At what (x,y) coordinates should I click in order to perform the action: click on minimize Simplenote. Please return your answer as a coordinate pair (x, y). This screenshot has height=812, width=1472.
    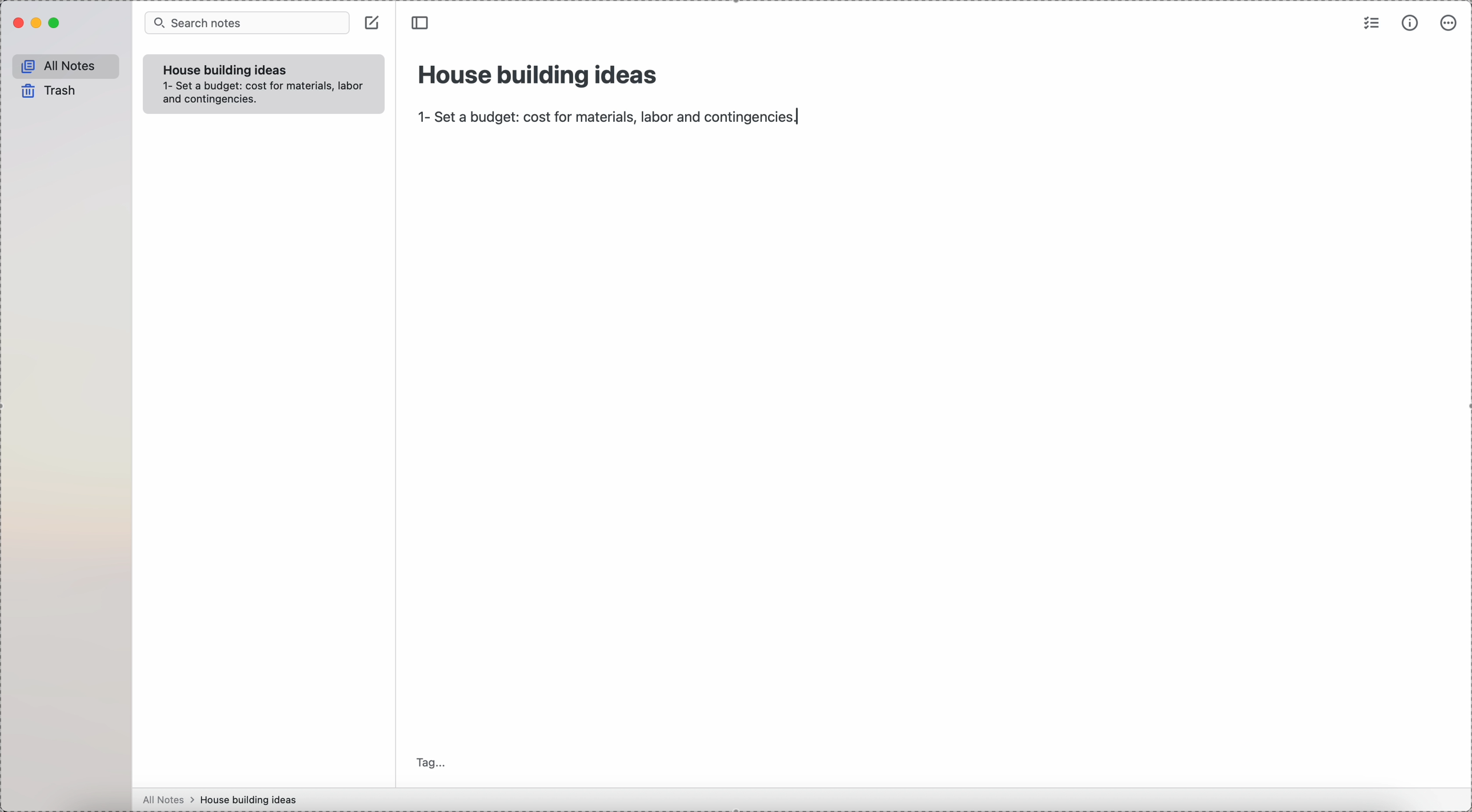
    Looking at the image, I should click on (38, 25).